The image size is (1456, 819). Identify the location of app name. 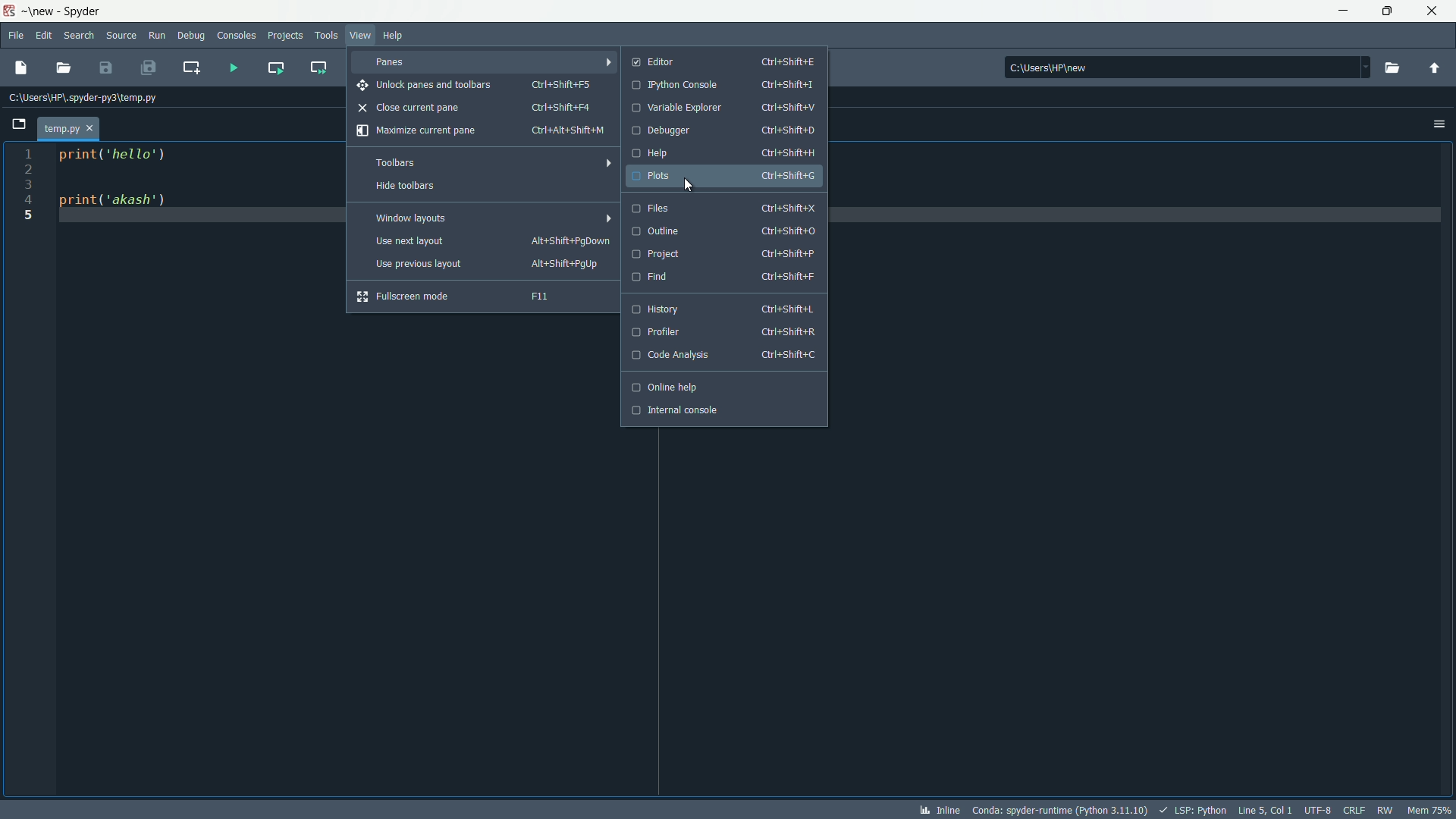
(90, 11).